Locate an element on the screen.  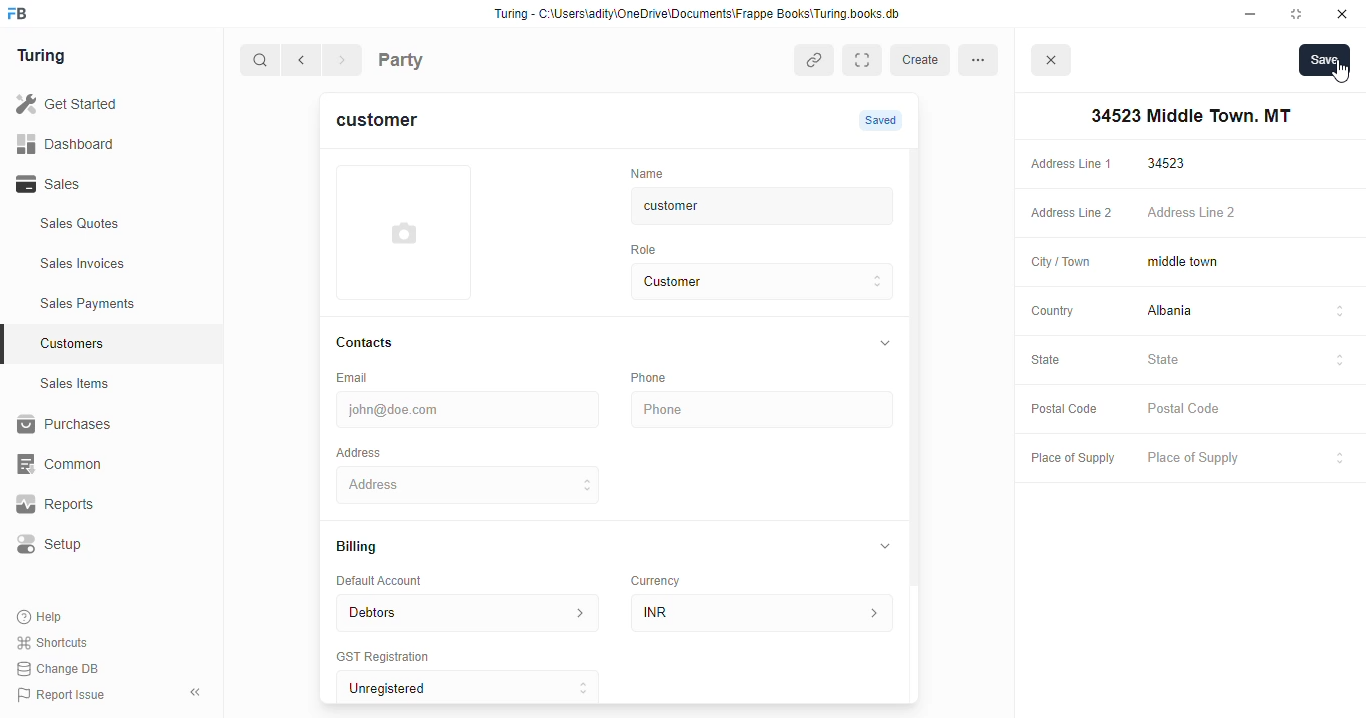
customer is located at coordinates (746, 206).